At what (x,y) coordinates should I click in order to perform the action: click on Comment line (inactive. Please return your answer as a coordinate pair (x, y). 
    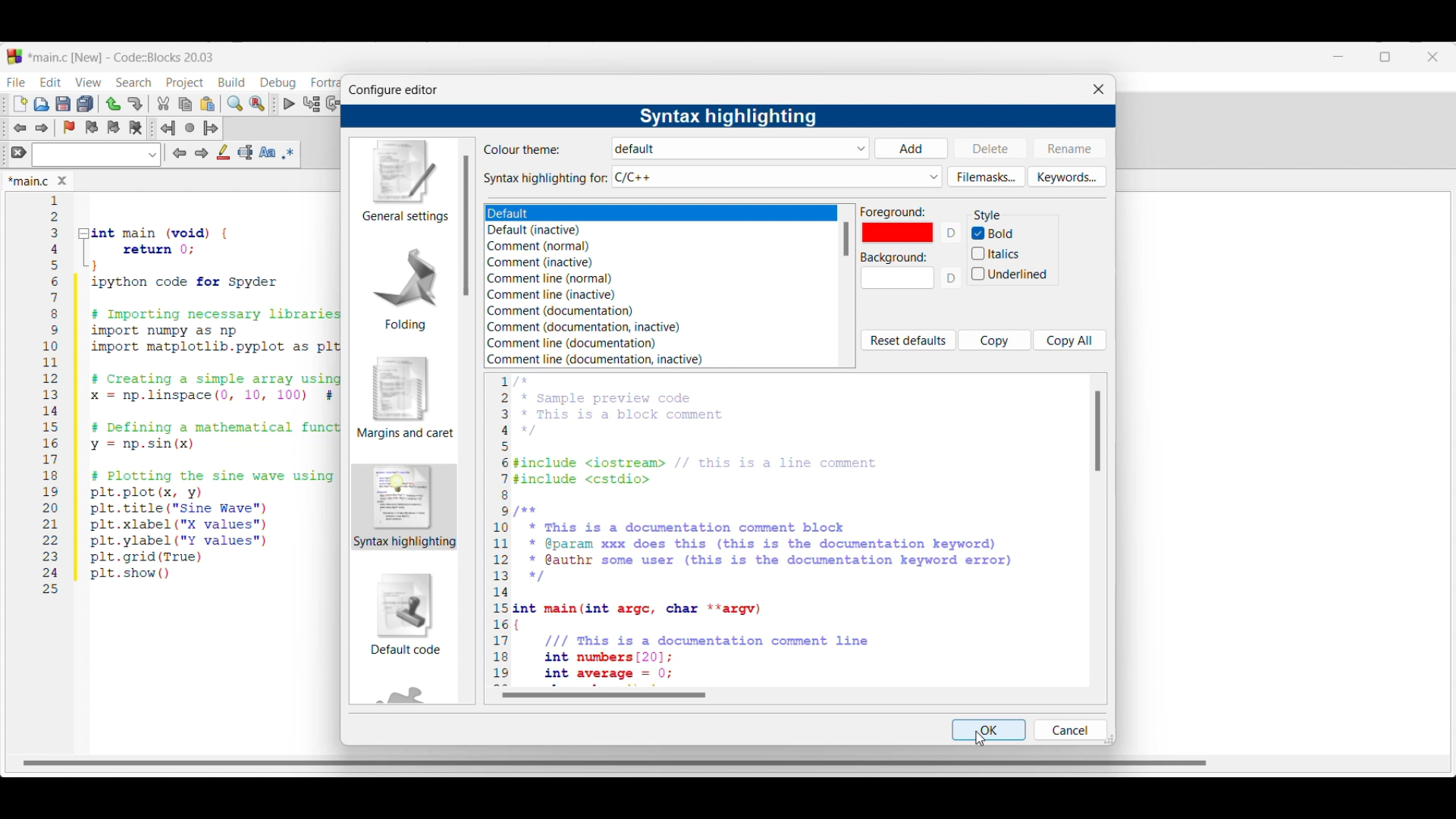
    Looking at the image, I should click on (548, 294).